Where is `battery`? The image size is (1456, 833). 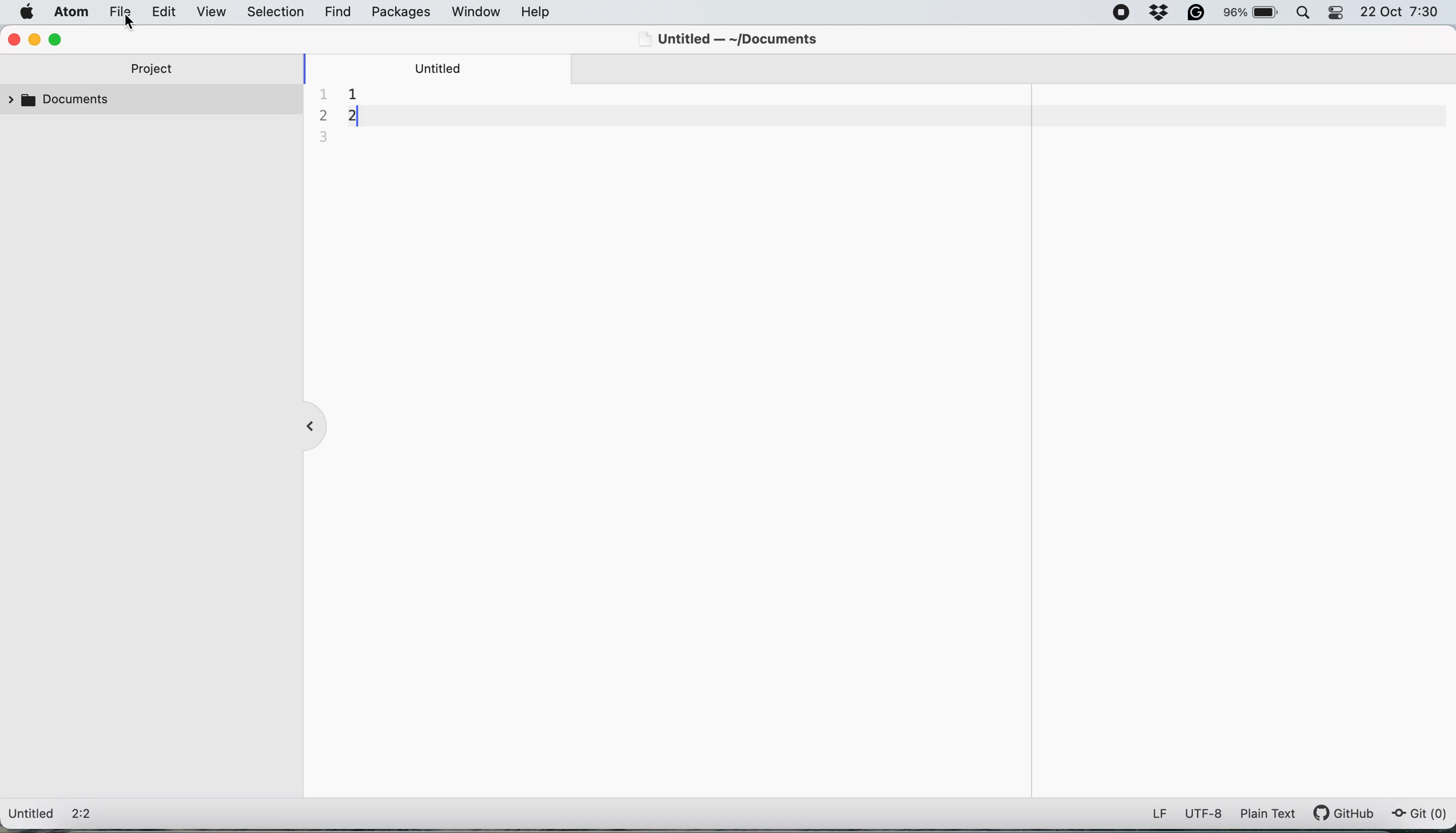
battery is located at coordinates (1249, 14).